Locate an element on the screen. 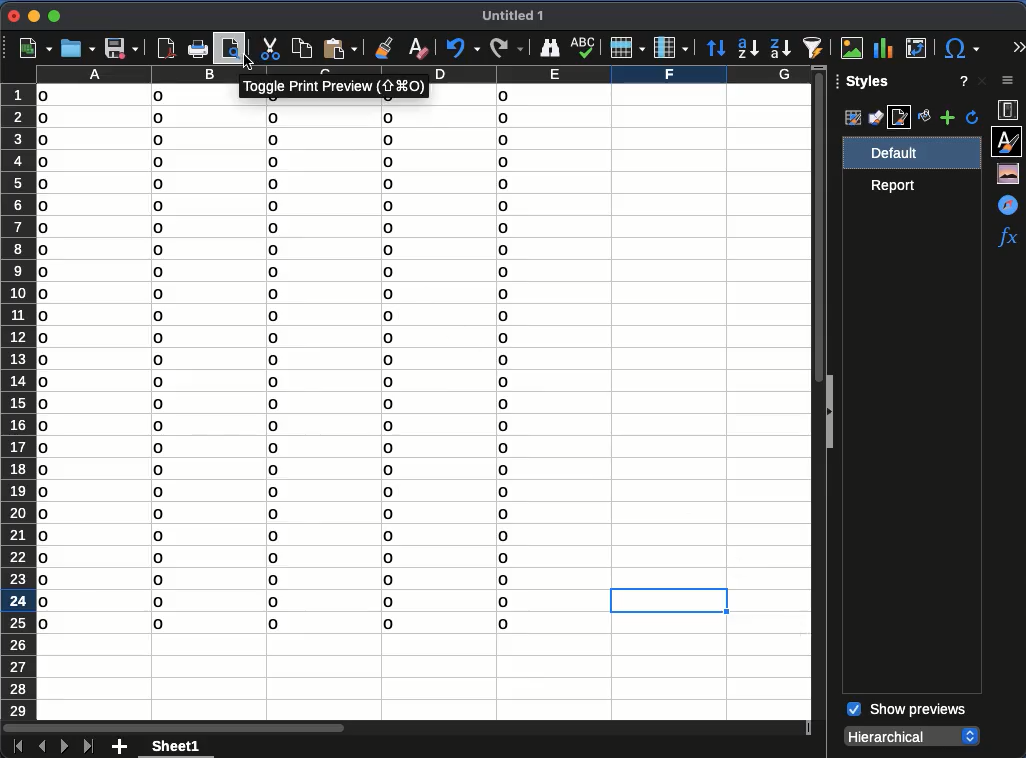 The width and height of the screenshot is (1026, 758). sidebar is located at coordinates (1009, 82).